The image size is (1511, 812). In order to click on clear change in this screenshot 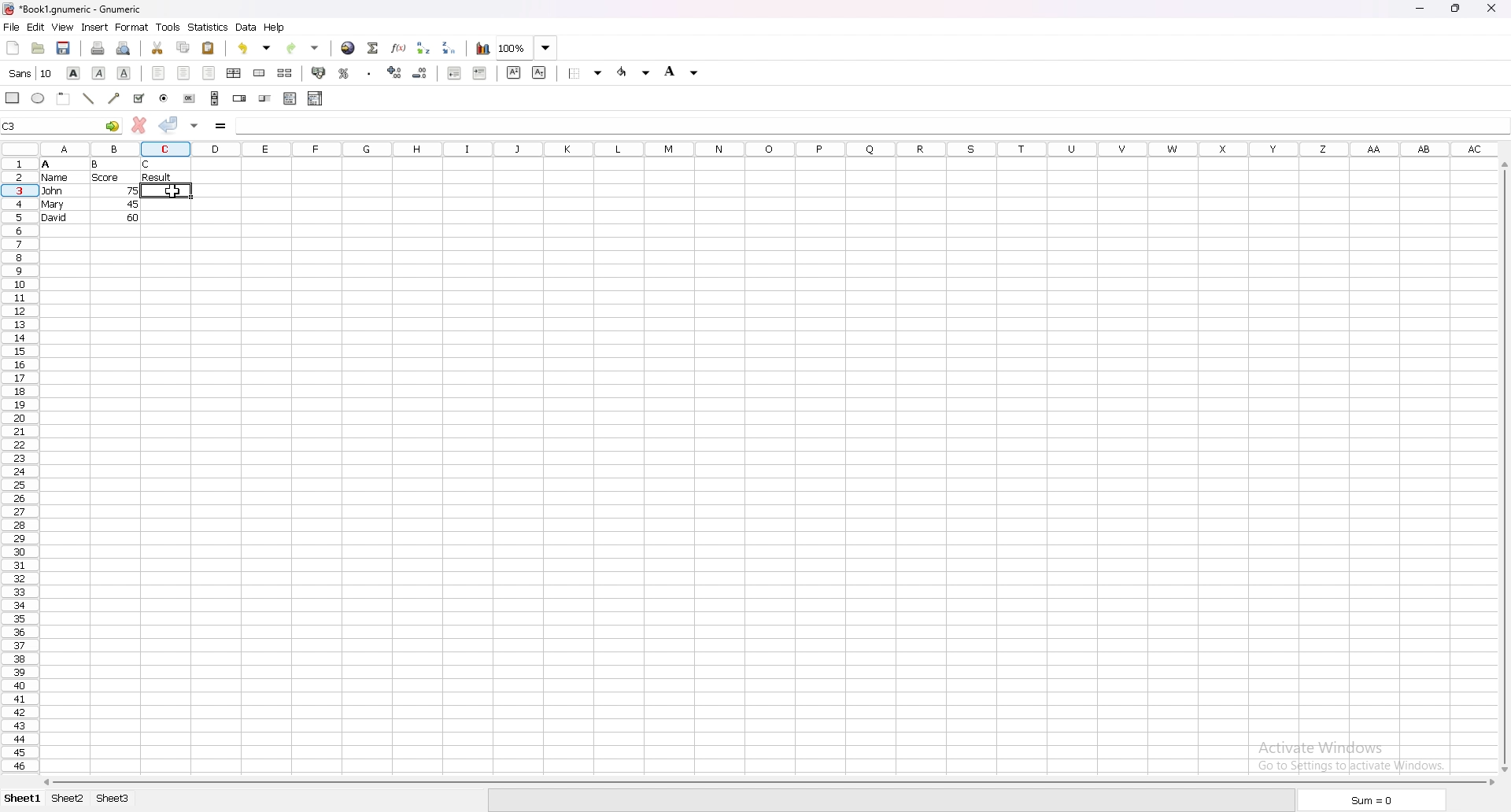, I will do `click(139, 124)`.